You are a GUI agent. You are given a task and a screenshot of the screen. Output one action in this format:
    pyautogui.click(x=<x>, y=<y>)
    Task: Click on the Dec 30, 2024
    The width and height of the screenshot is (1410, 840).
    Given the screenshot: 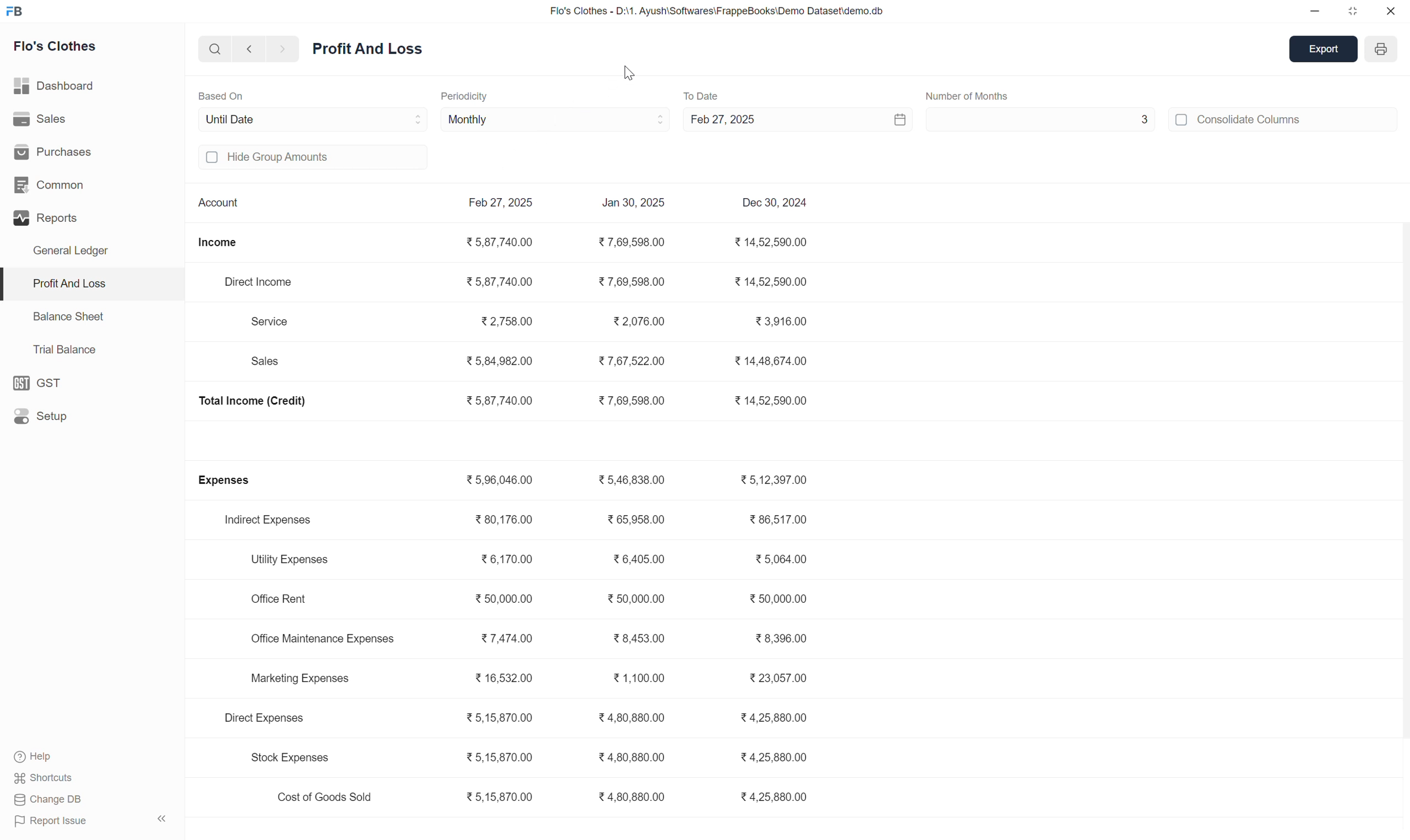 What is the action you would take?
    pyautogui.click(x=770, y=201)
    